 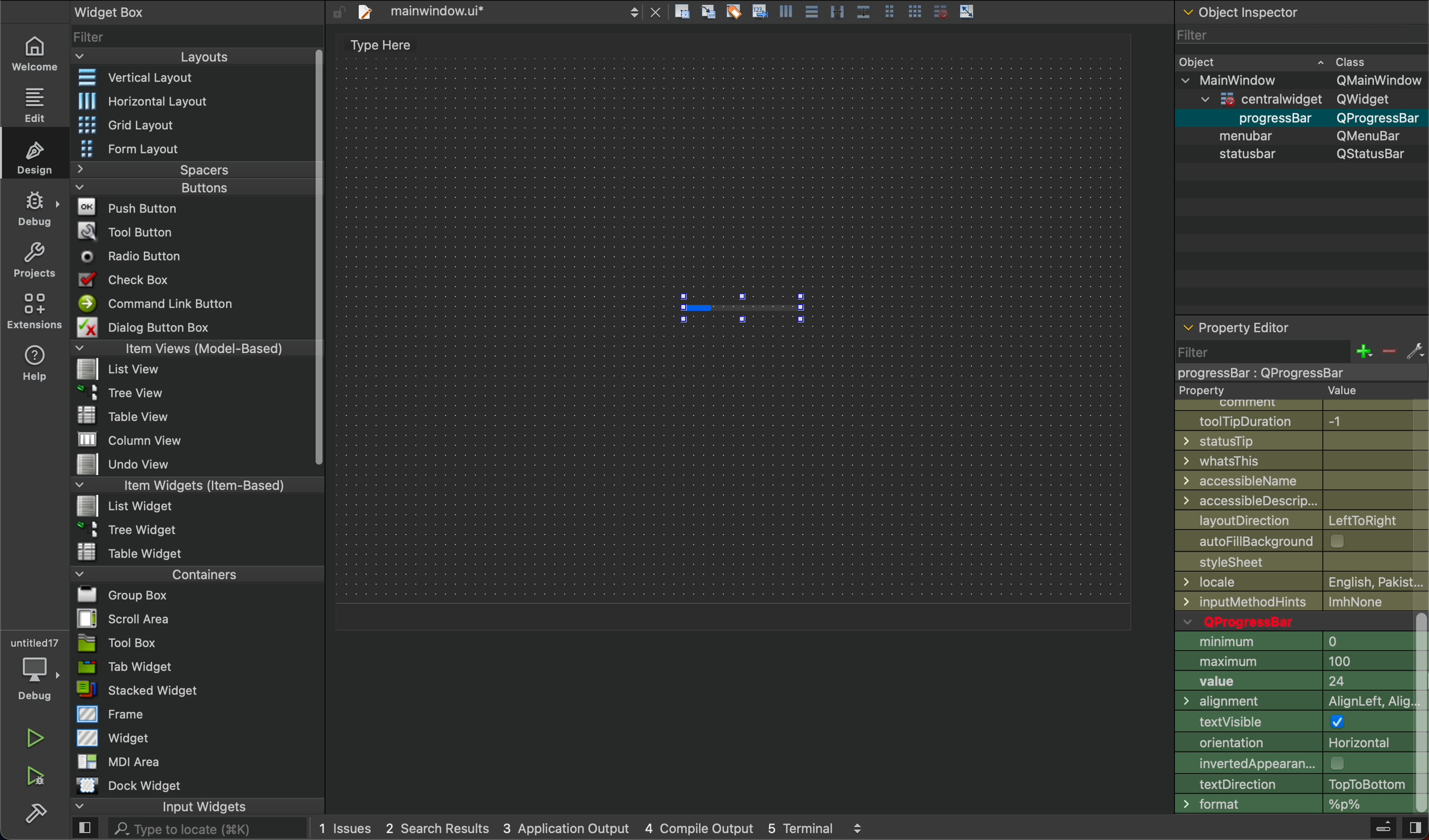 I want to click on Build, so click(x=1382, y=829).